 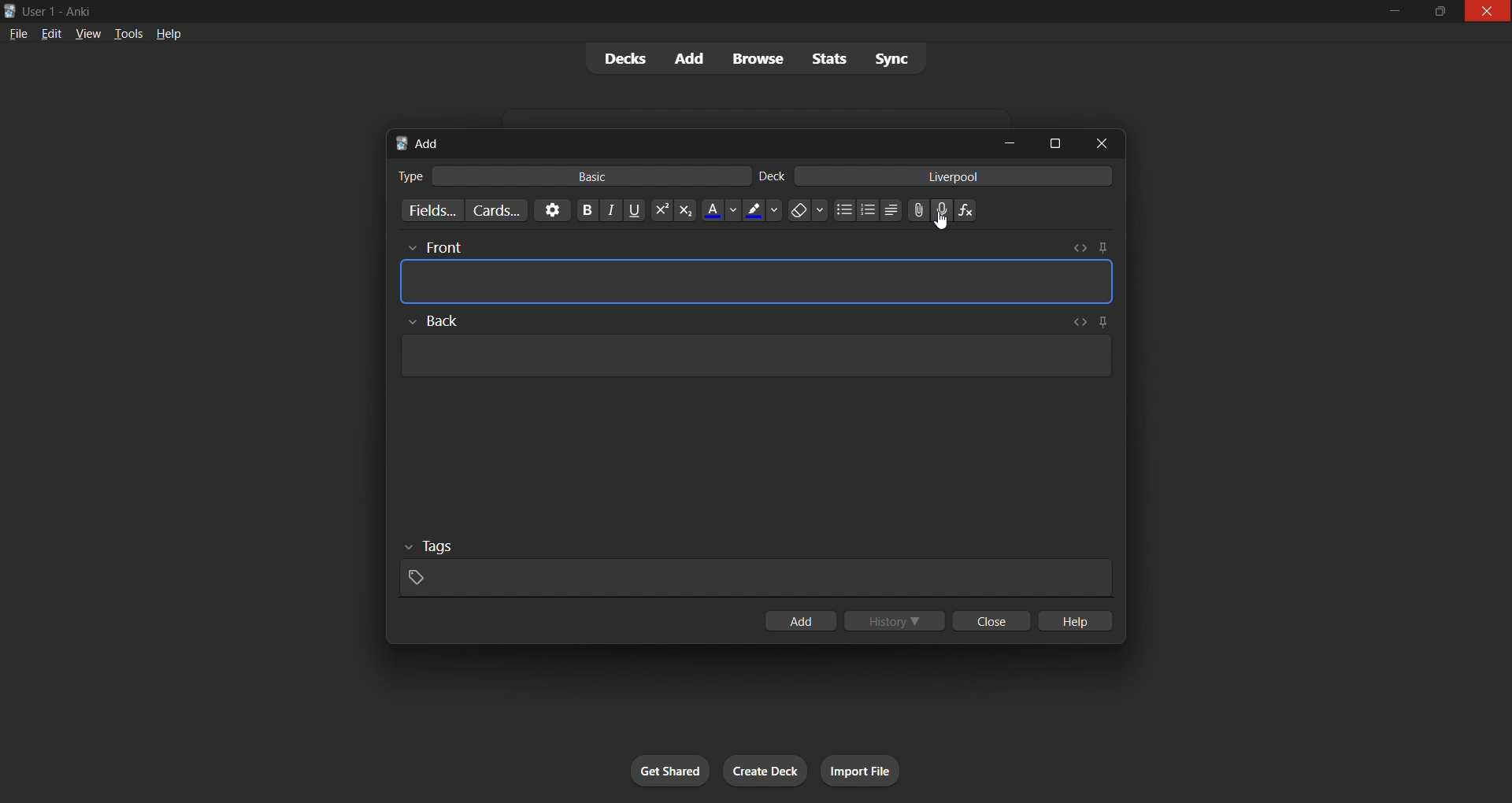 What do you see at coordinates (15, 35) in the screenshot?
I see `file` at bounding box center [15, 35].